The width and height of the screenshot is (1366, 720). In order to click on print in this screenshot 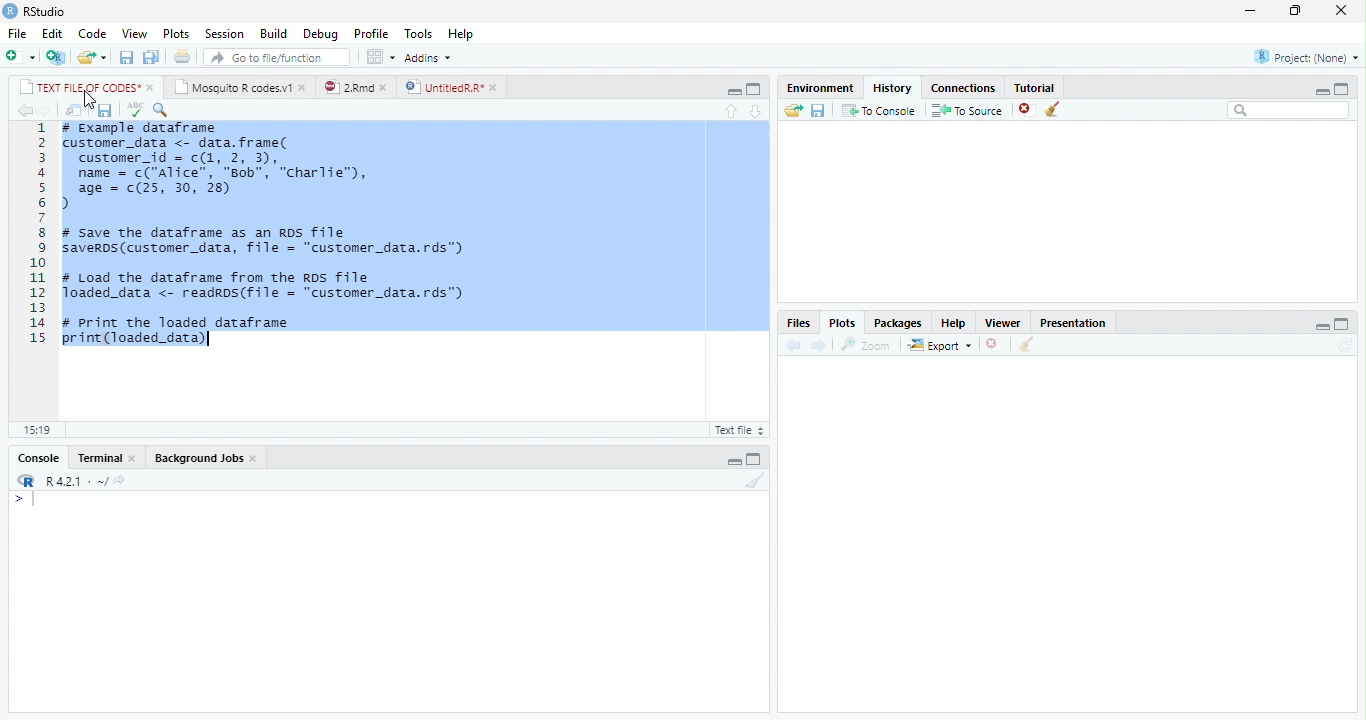, I will do `click(181, 56)`.